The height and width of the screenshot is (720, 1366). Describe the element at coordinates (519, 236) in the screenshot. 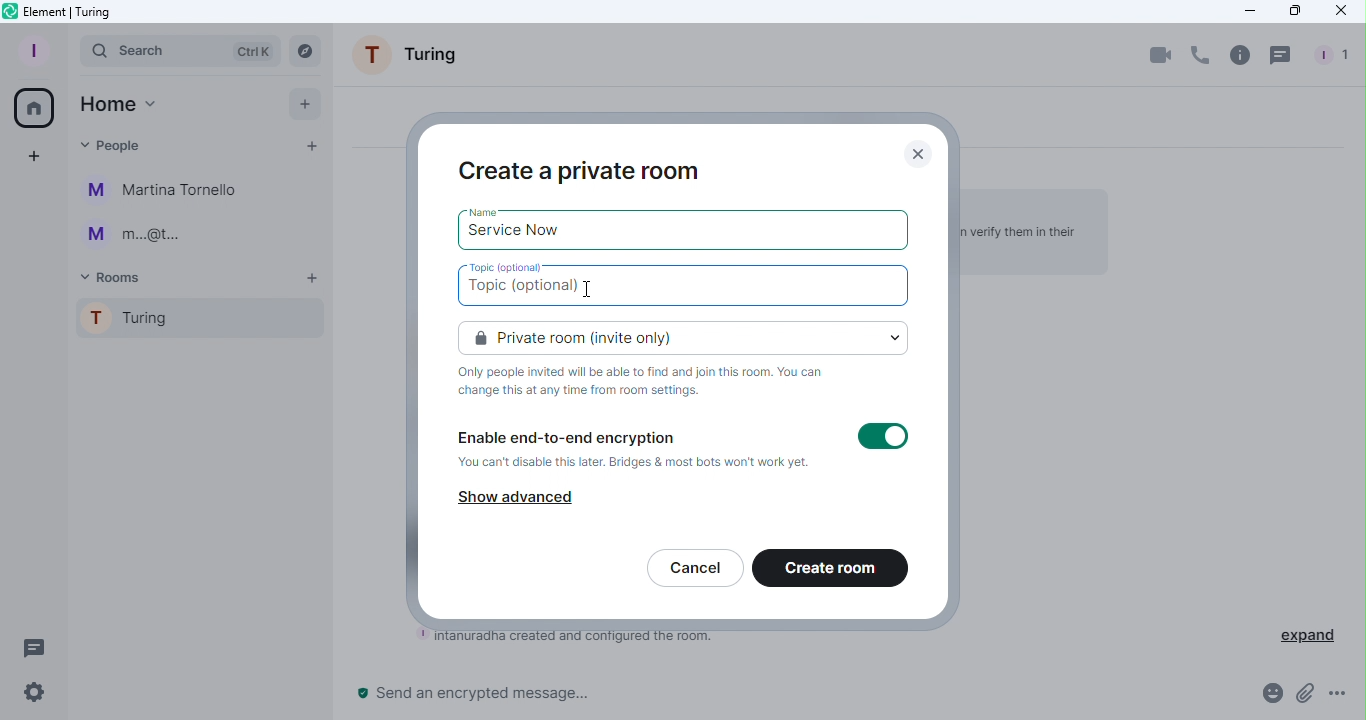

I see `service now` at that location.